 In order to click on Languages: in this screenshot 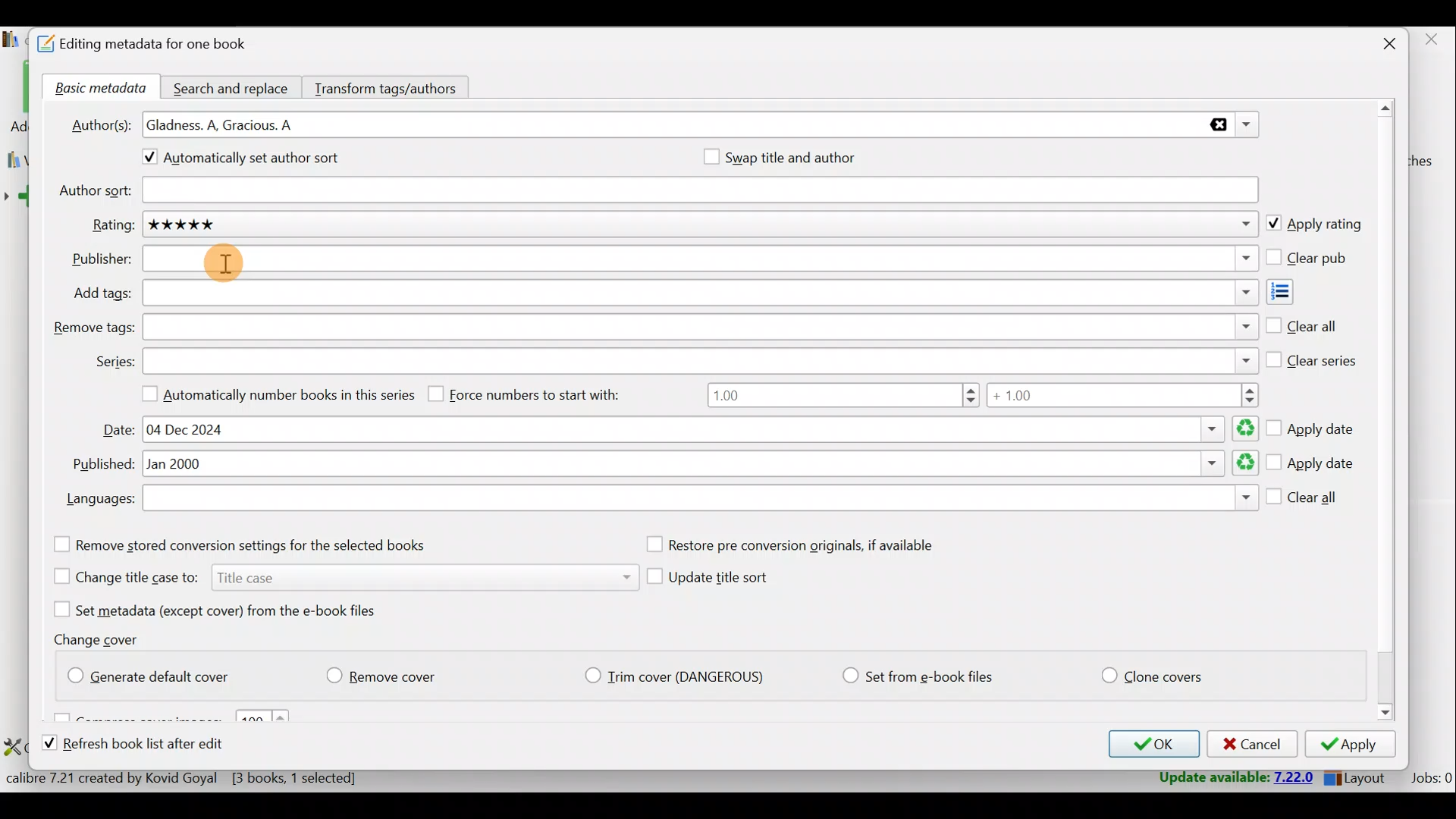, I will do `click(99, 500)`.